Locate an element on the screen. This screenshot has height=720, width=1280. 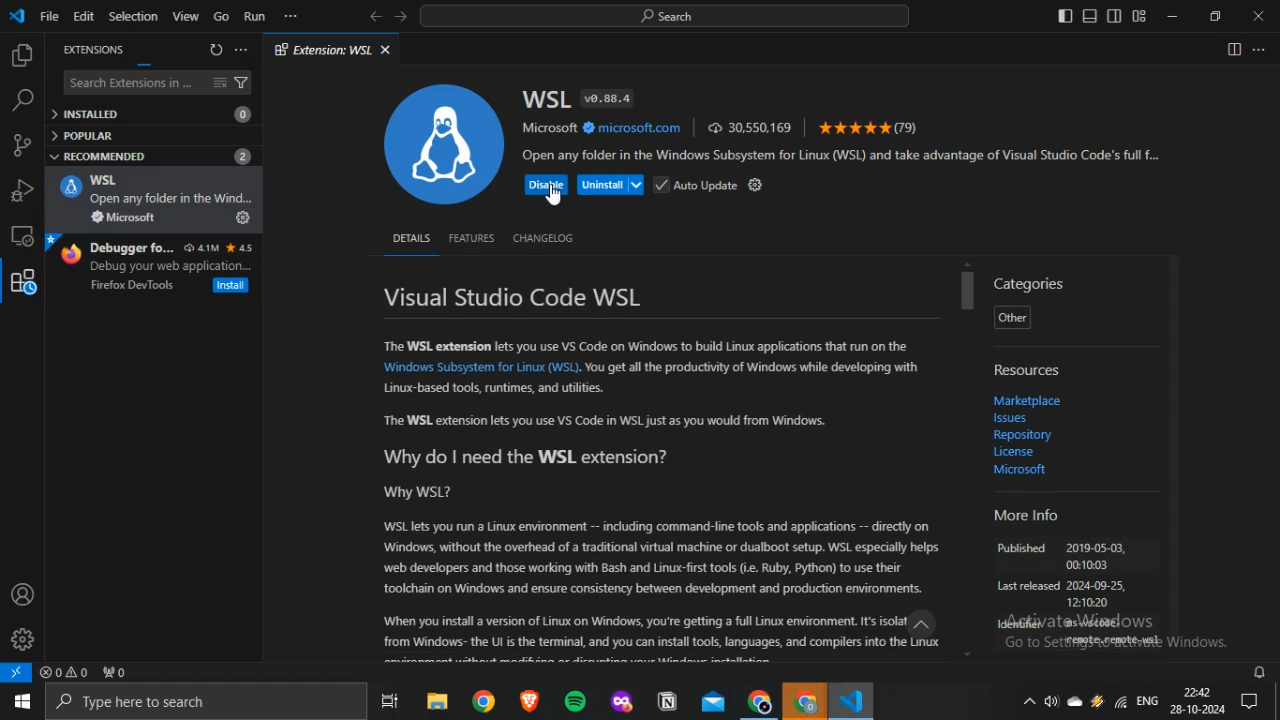
Search Extensions in ... is located at coordinates (132, 83).